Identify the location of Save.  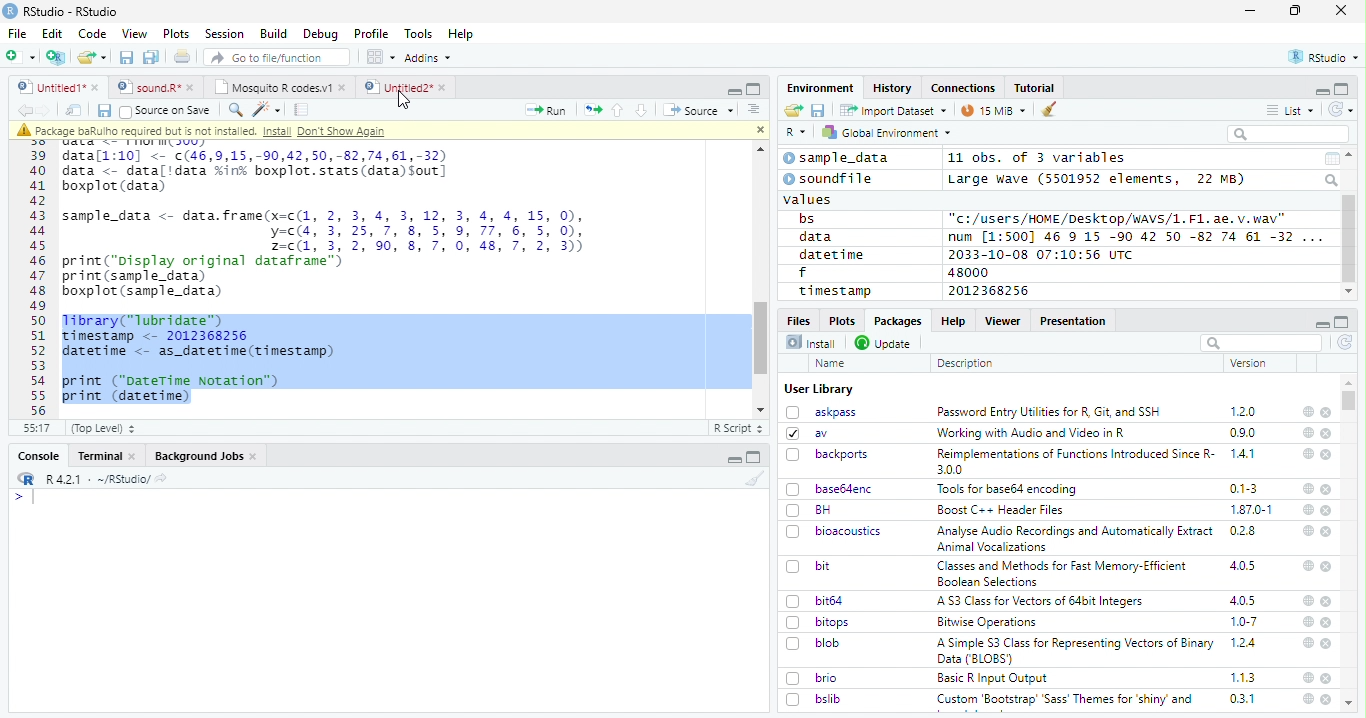
(103, 111).